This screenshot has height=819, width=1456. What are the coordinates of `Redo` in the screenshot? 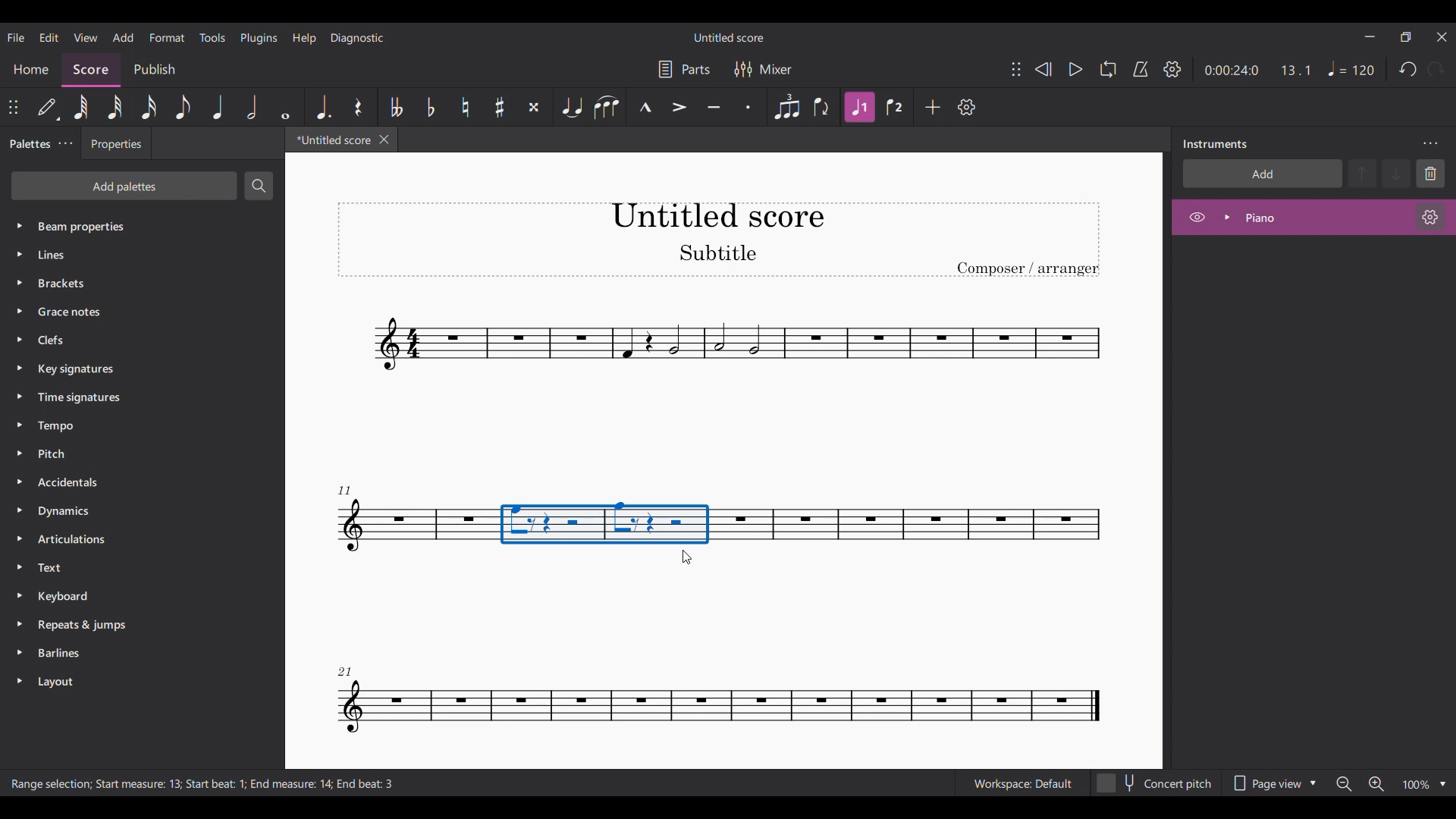 It's located at (1436, 69).